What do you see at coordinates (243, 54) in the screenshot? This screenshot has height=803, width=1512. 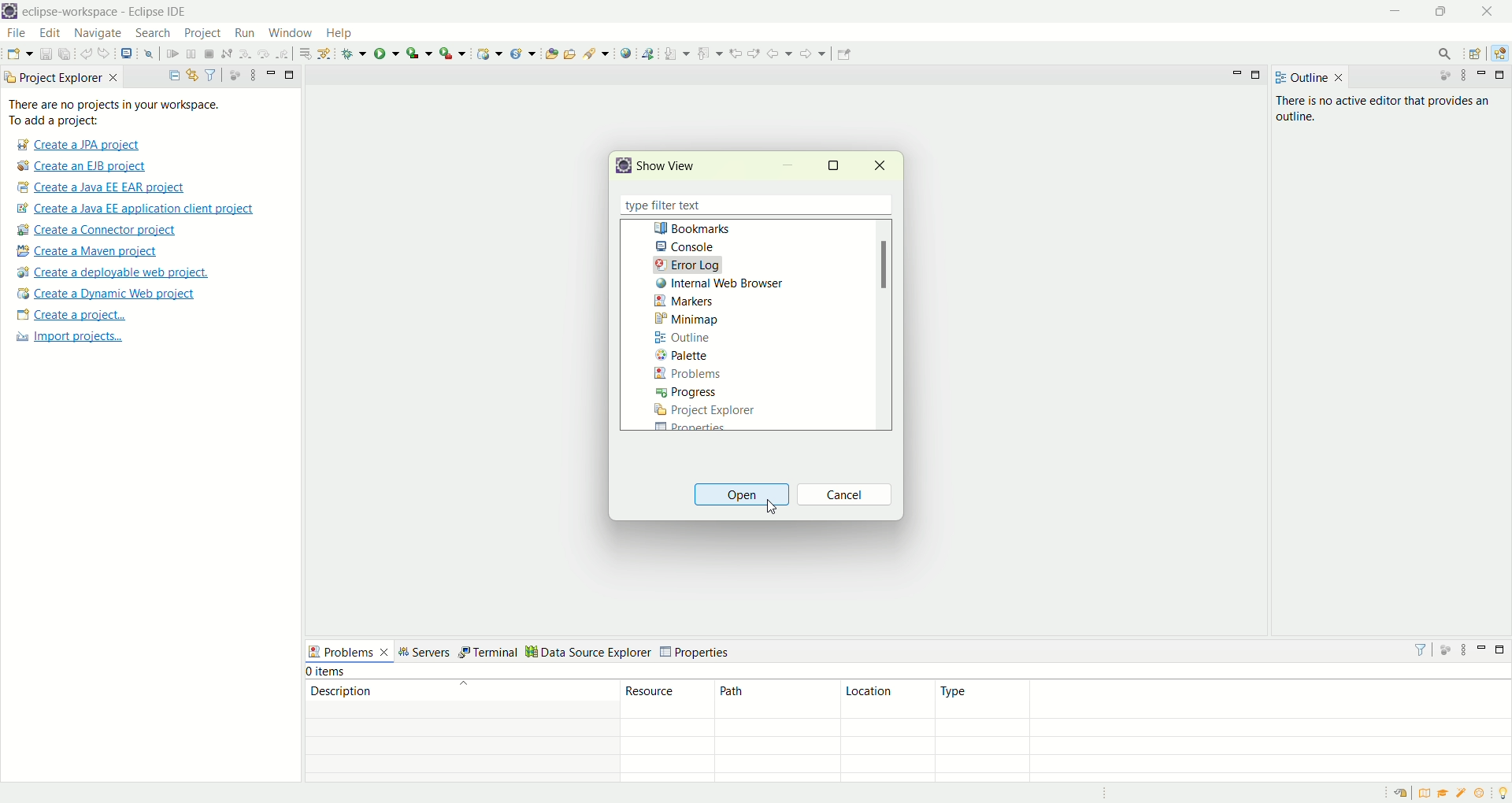 I see `step into` at bounding box center [243, 54].